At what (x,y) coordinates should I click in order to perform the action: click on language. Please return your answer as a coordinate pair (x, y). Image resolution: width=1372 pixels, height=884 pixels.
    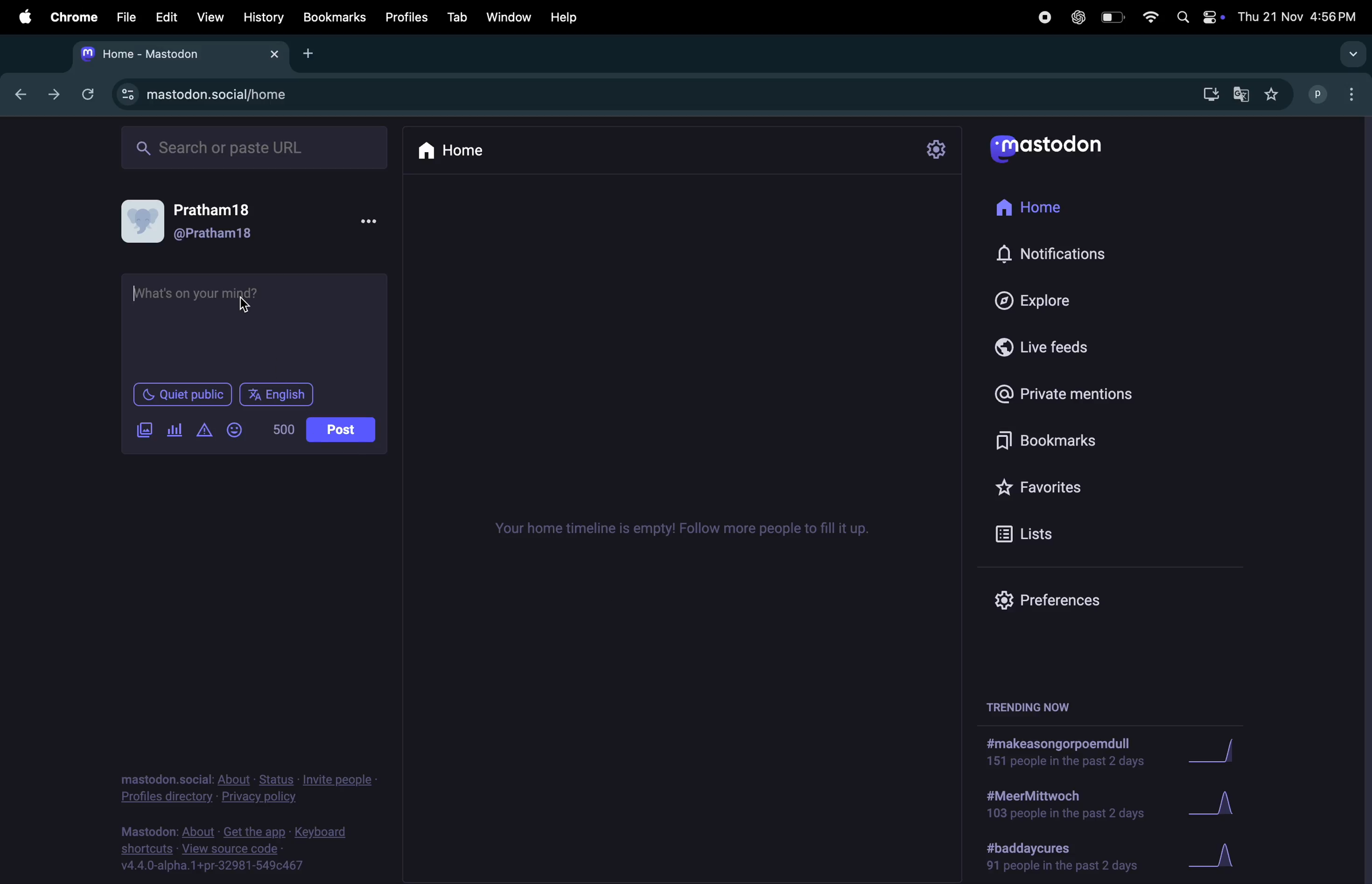
    Looking at the image, I should click on (281, 394).